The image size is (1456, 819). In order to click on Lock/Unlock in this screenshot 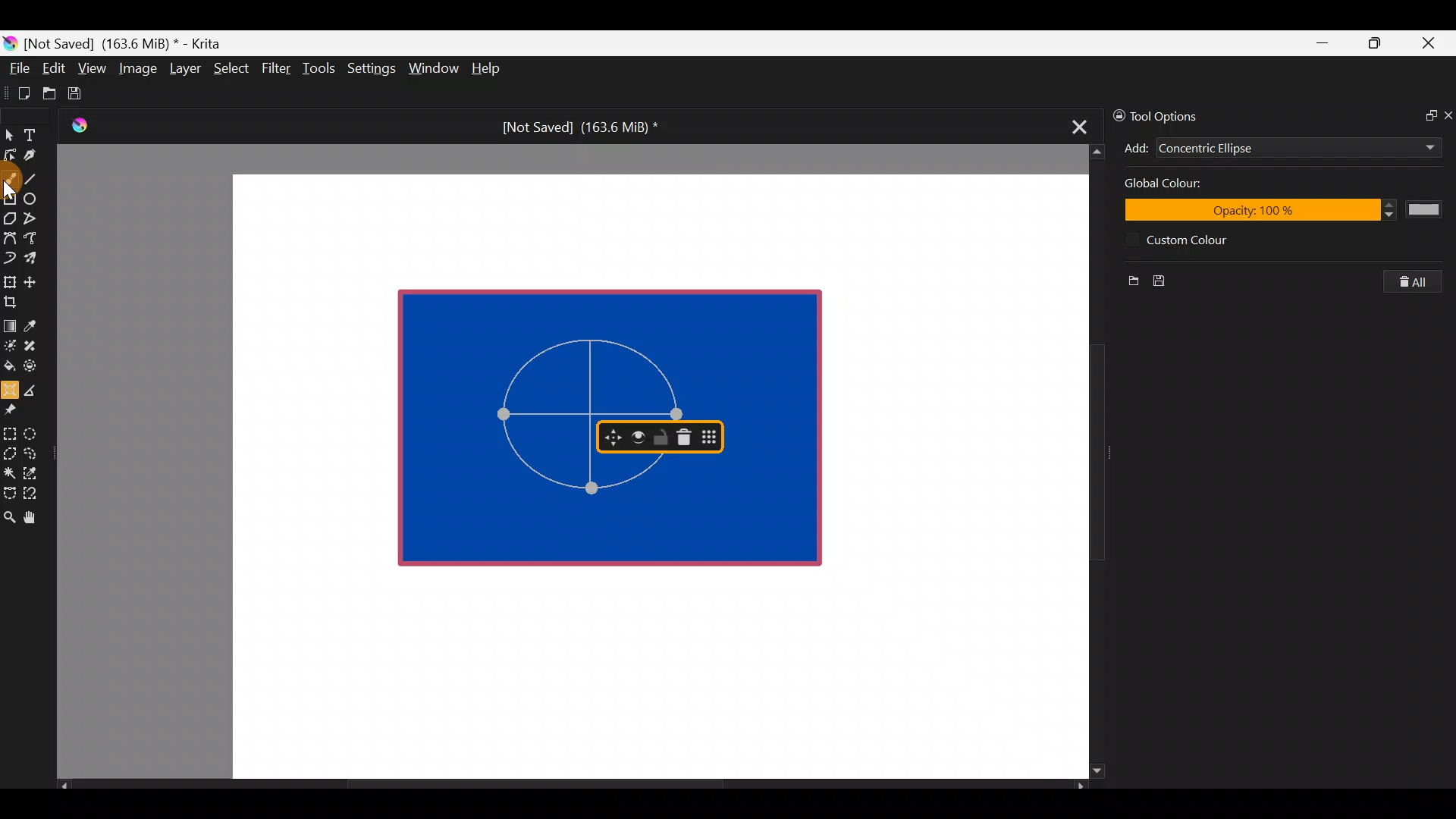, I will do `click(661, 435)`.